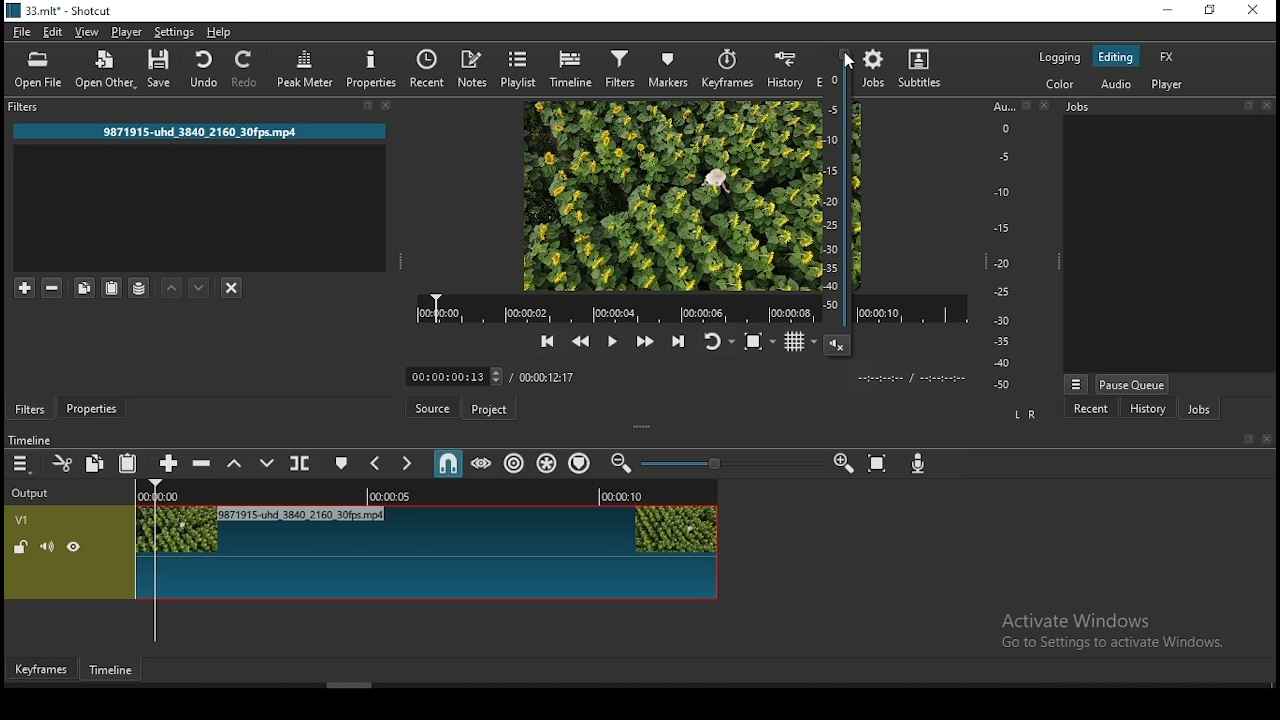 The height and width of the screenshot is (720, 1280). I want to click on zoom timeline in, so click(839, 463).